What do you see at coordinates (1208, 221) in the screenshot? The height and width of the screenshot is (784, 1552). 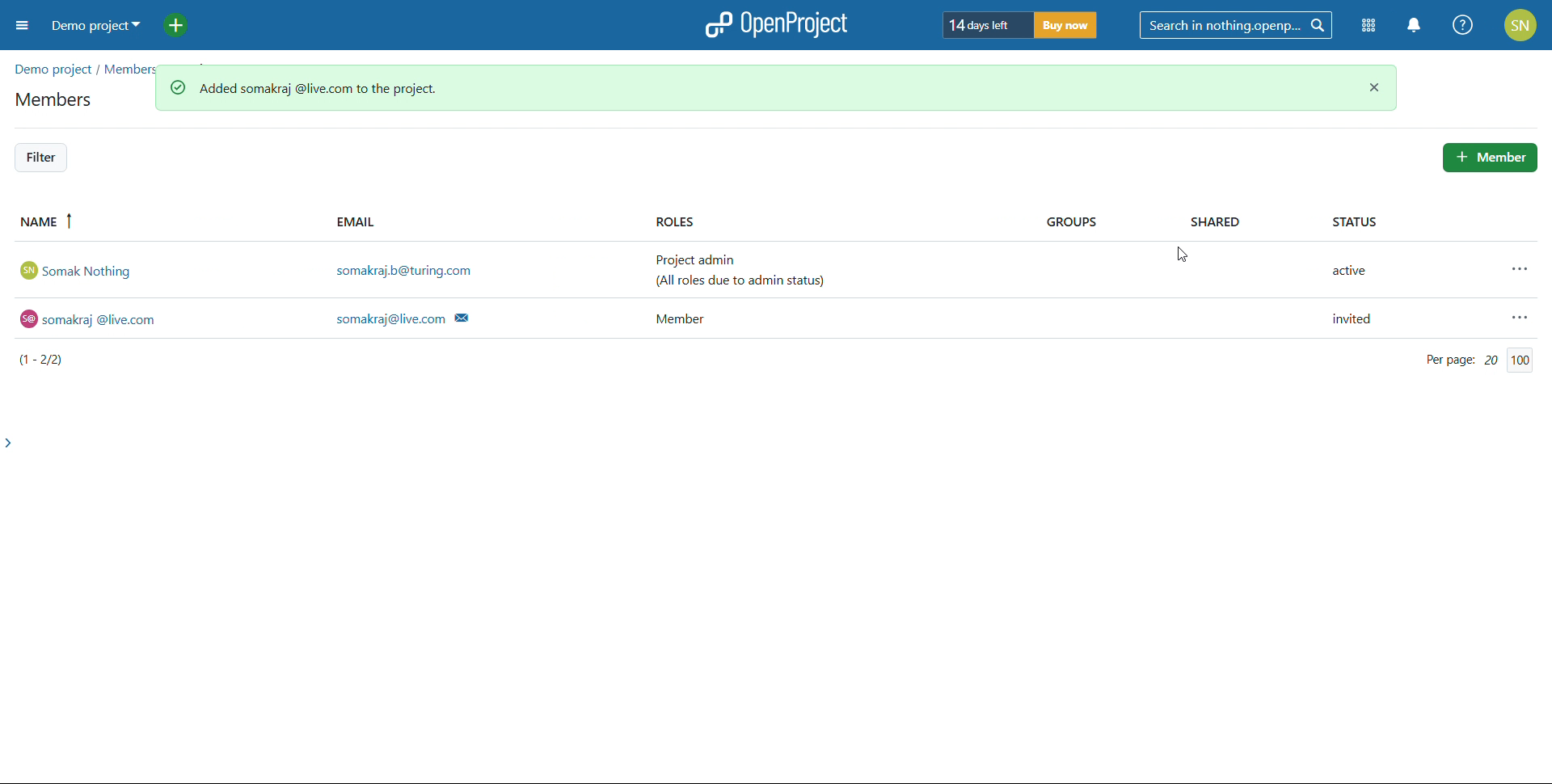 I see `SHARED` at bounding box center [1208, 221].